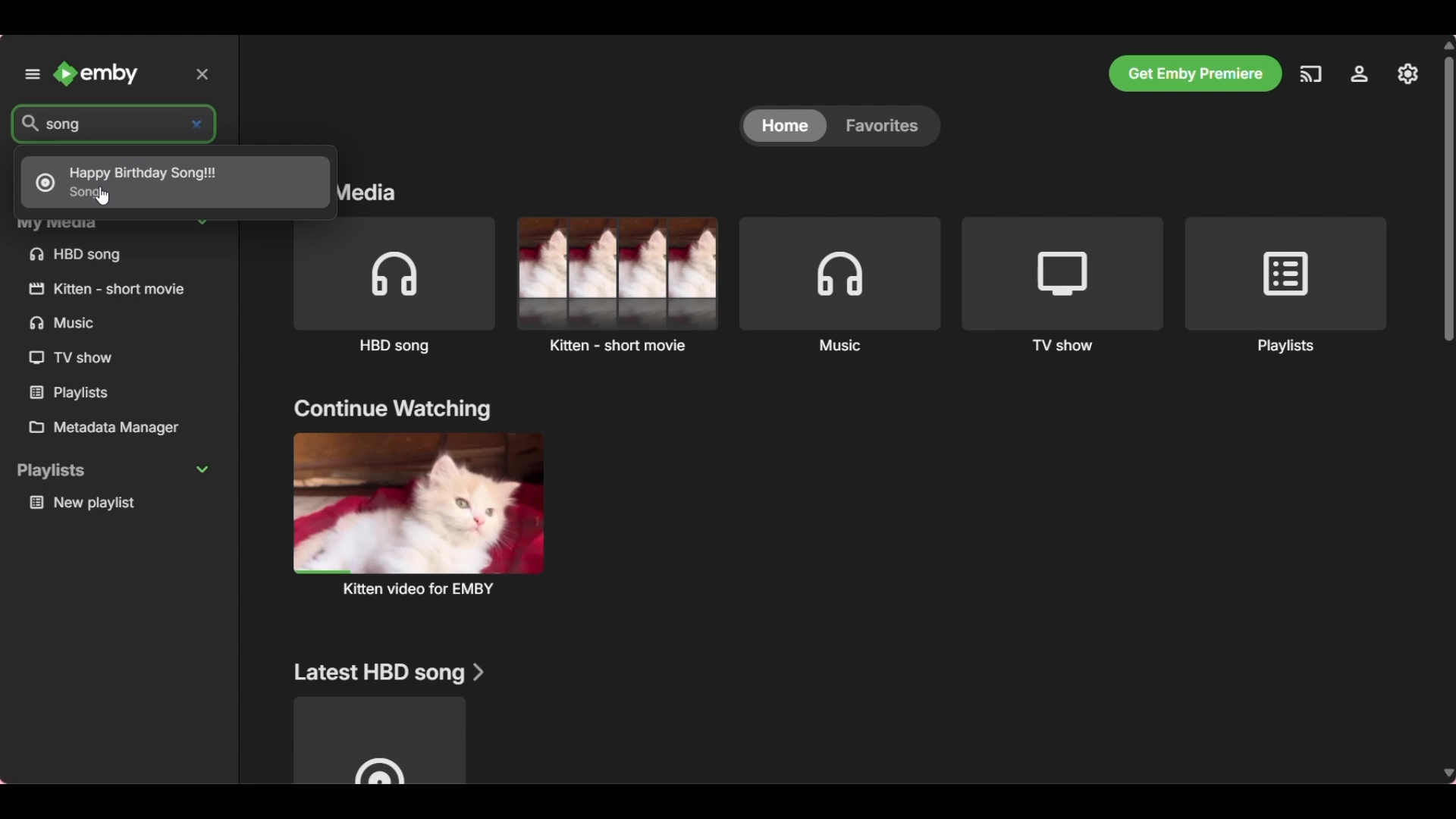  What do you see at coordinates (390, 673) in the screenshot?
I see `Latest HBD song` at bounding box center [390, 673].